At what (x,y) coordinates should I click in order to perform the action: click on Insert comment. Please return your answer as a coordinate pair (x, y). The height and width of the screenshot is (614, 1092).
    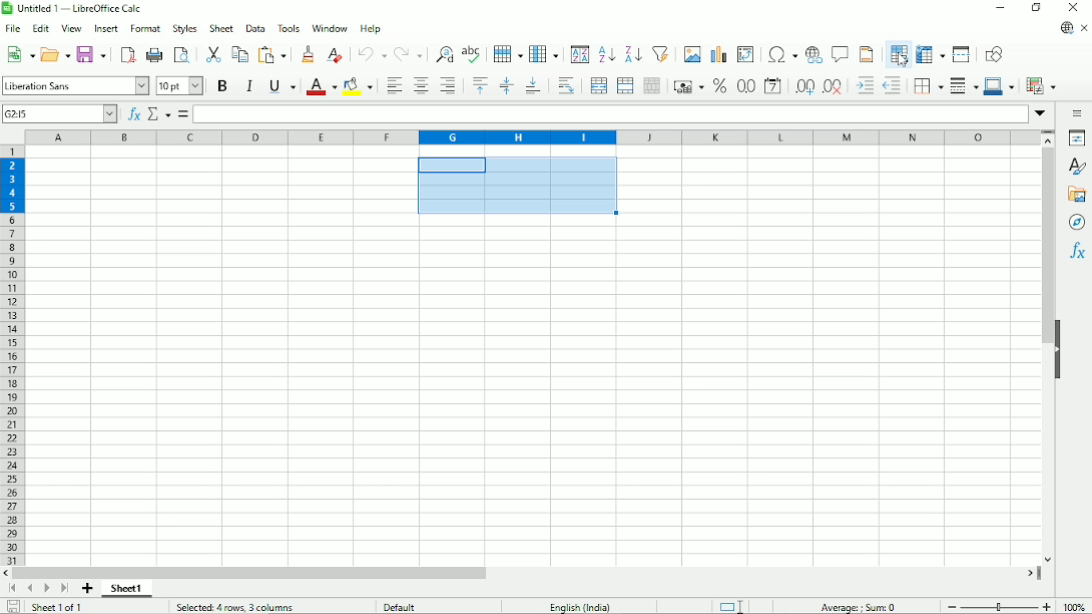
    Looking at the image, I should click on (840, 53).